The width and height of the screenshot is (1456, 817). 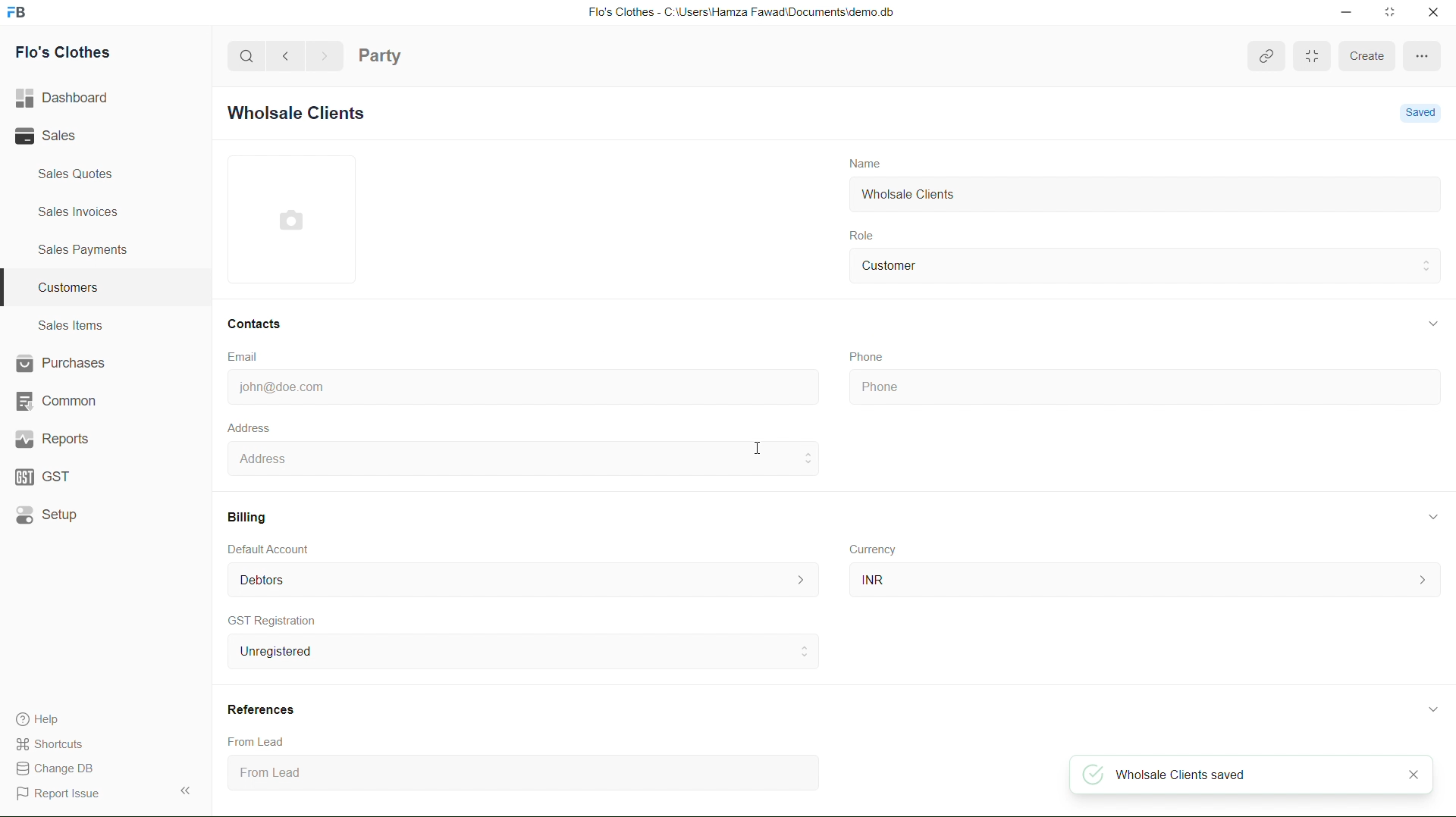 I want to click on Sales Payments, so click(x=86, y=251).